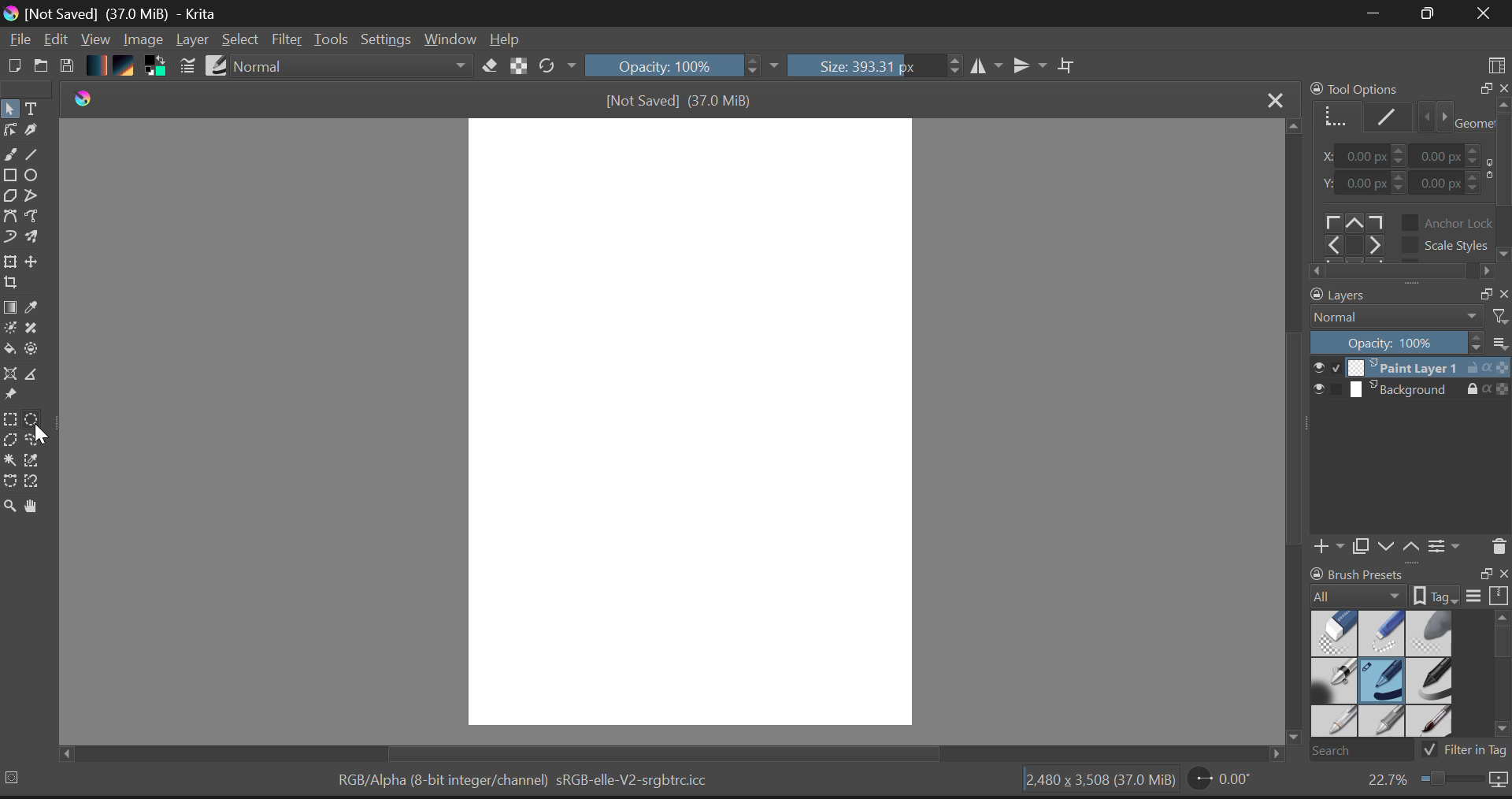 This screenshot has height=799, width=1512. Describe the element at coordinates (155, 67) in the screenshot. I see `Colors in use` at that location.